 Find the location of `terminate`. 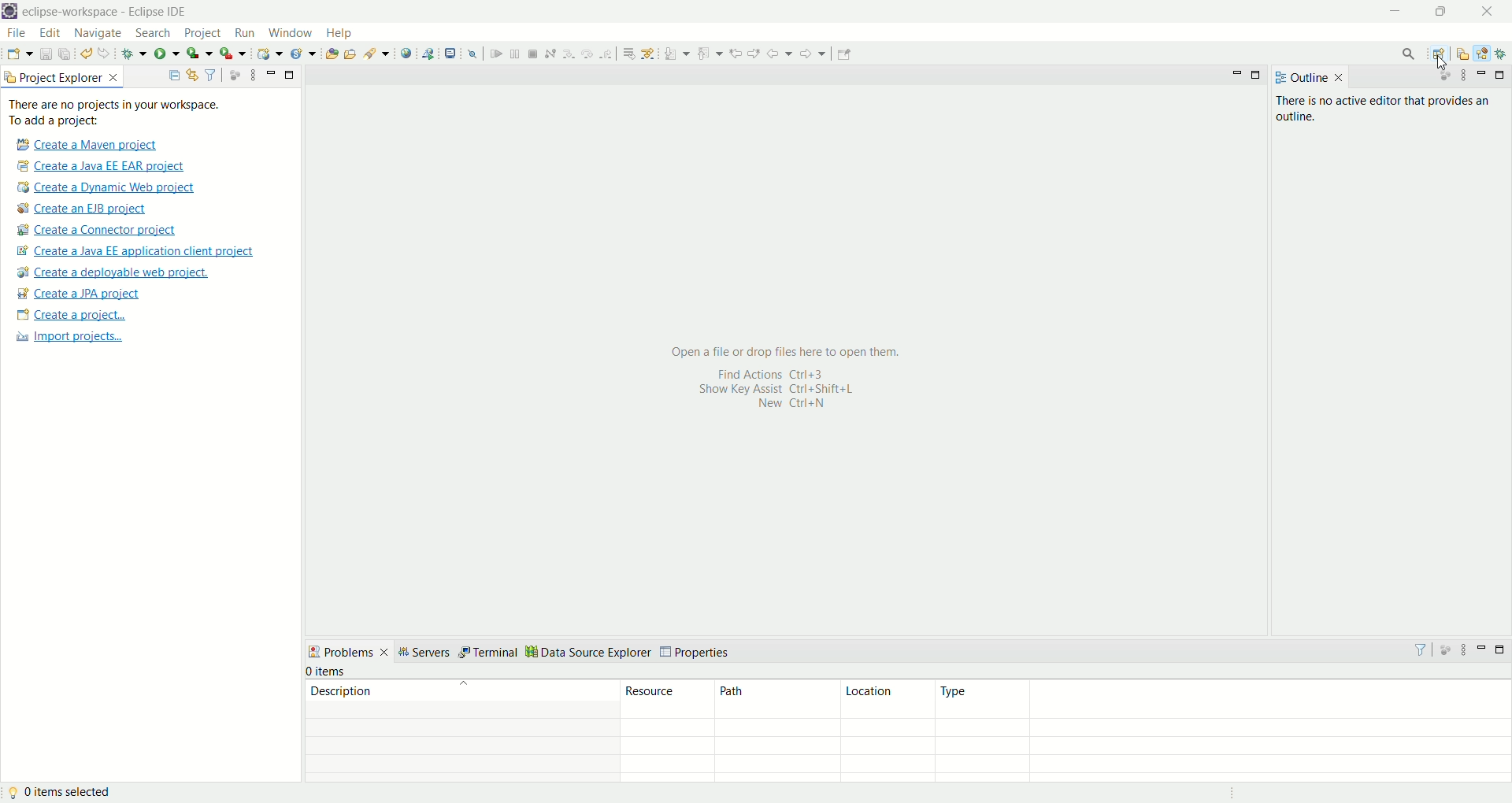

terminate is located at coordinates (533, 53).